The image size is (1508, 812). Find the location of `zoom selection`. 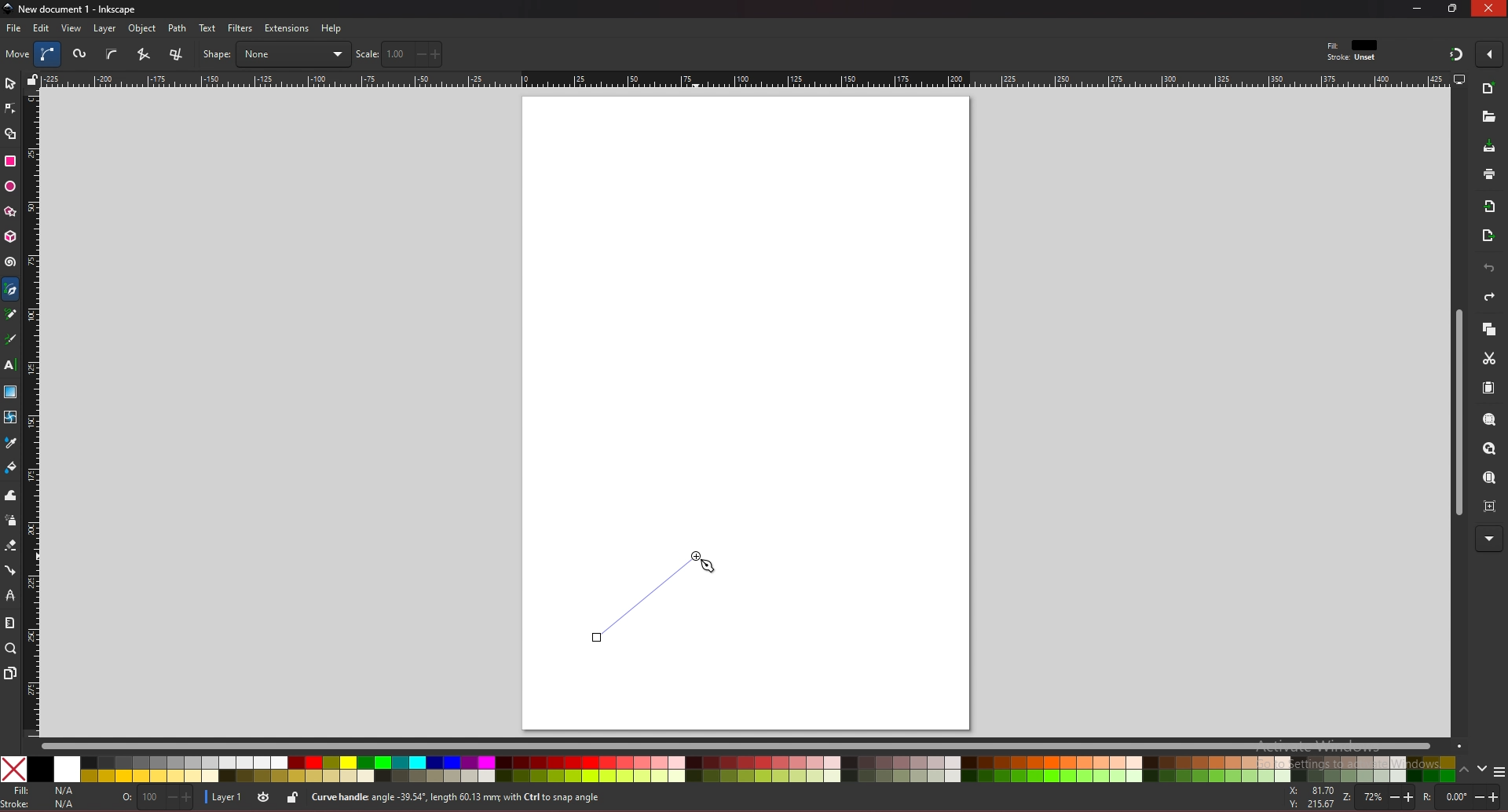

zoom selection is located at coordinates (1491, 421).